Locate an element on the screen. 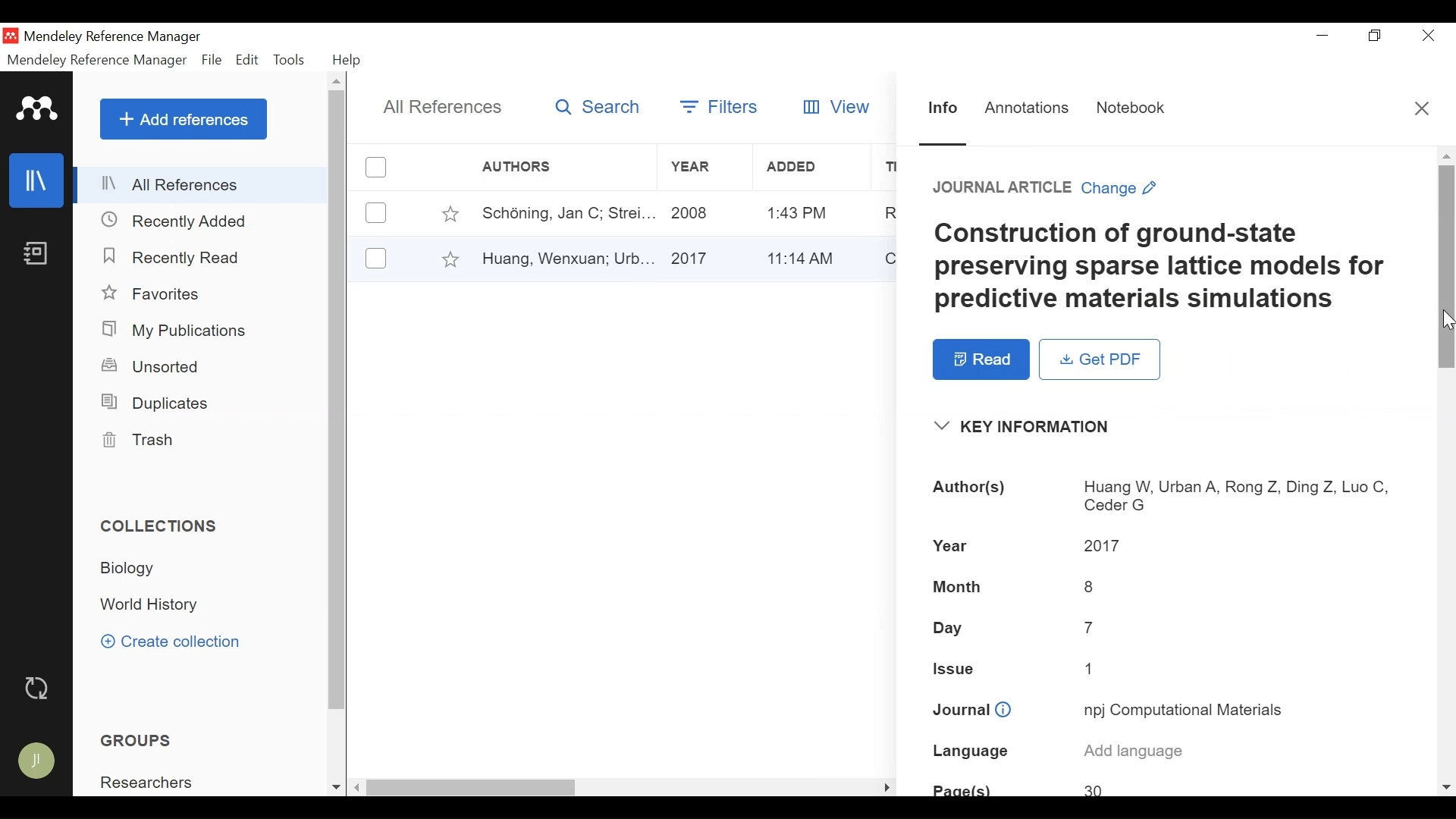  Recently Read is located at coordinates (180, 259).